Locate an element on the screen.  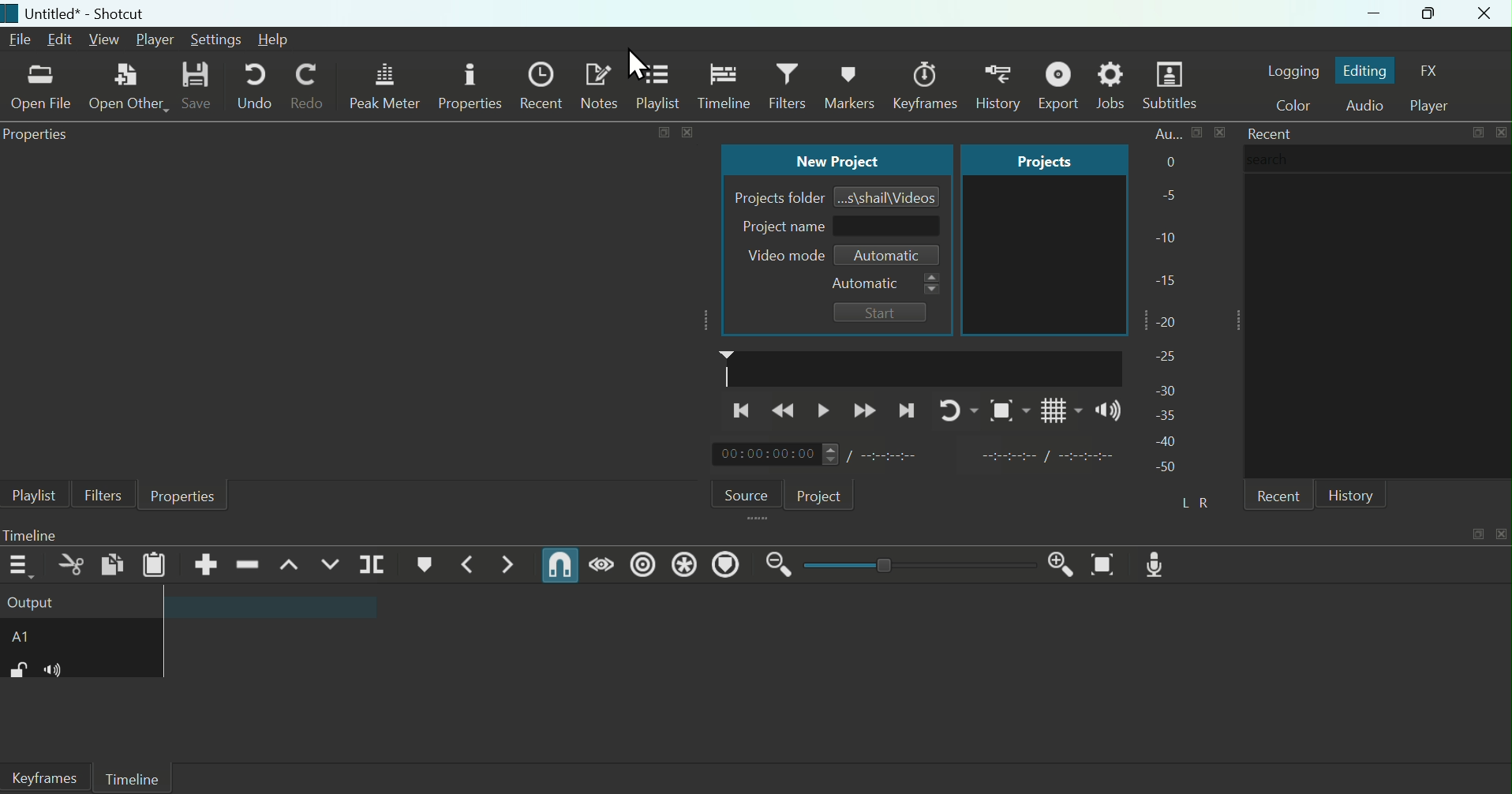
...s\shail\Videos is located at coordinates (889, 196).